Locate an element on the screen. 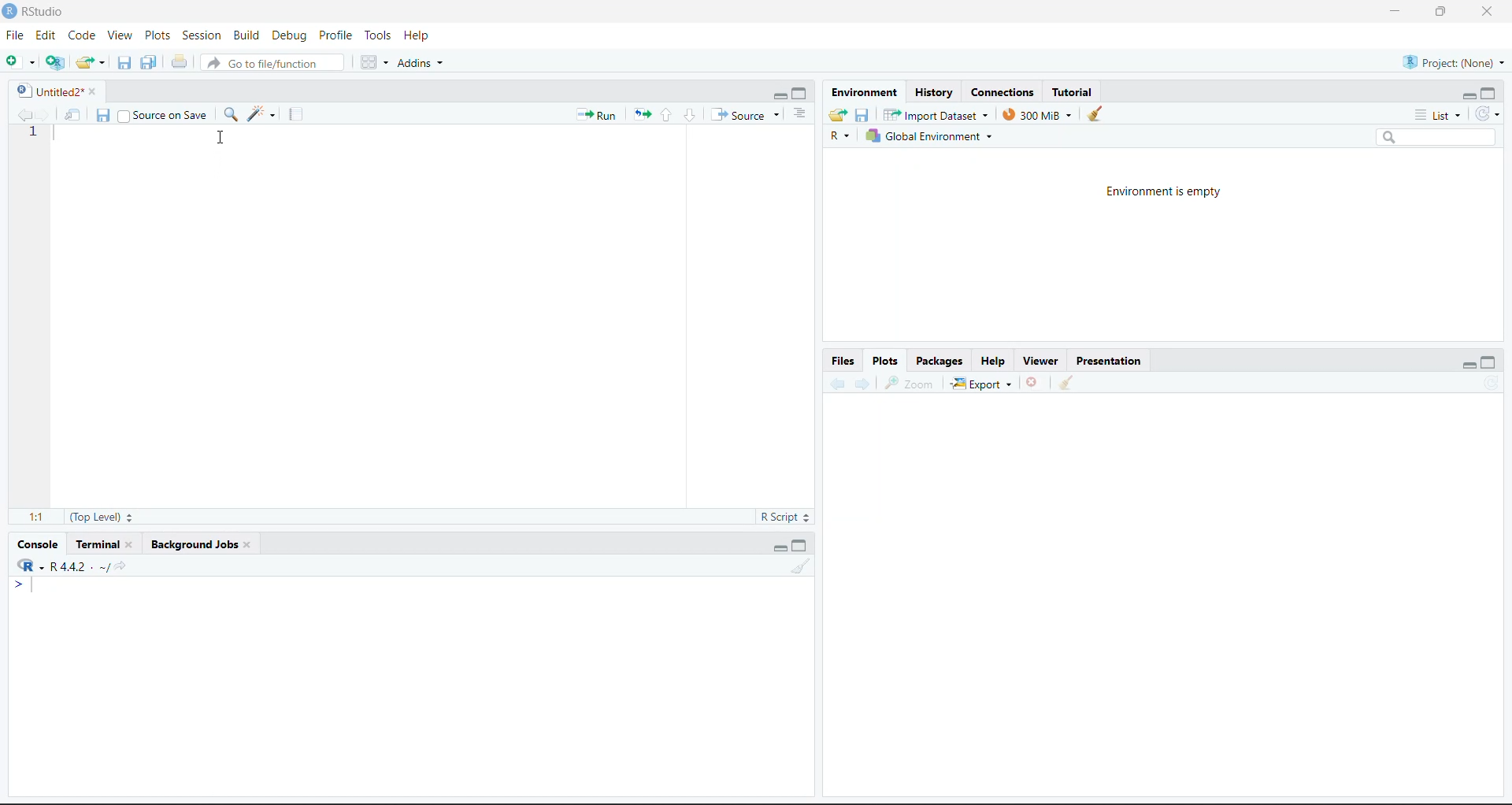 Image resolution: width=1512 pixels, height=805 pixels. save all open documents is located at coordinates (148, 61).